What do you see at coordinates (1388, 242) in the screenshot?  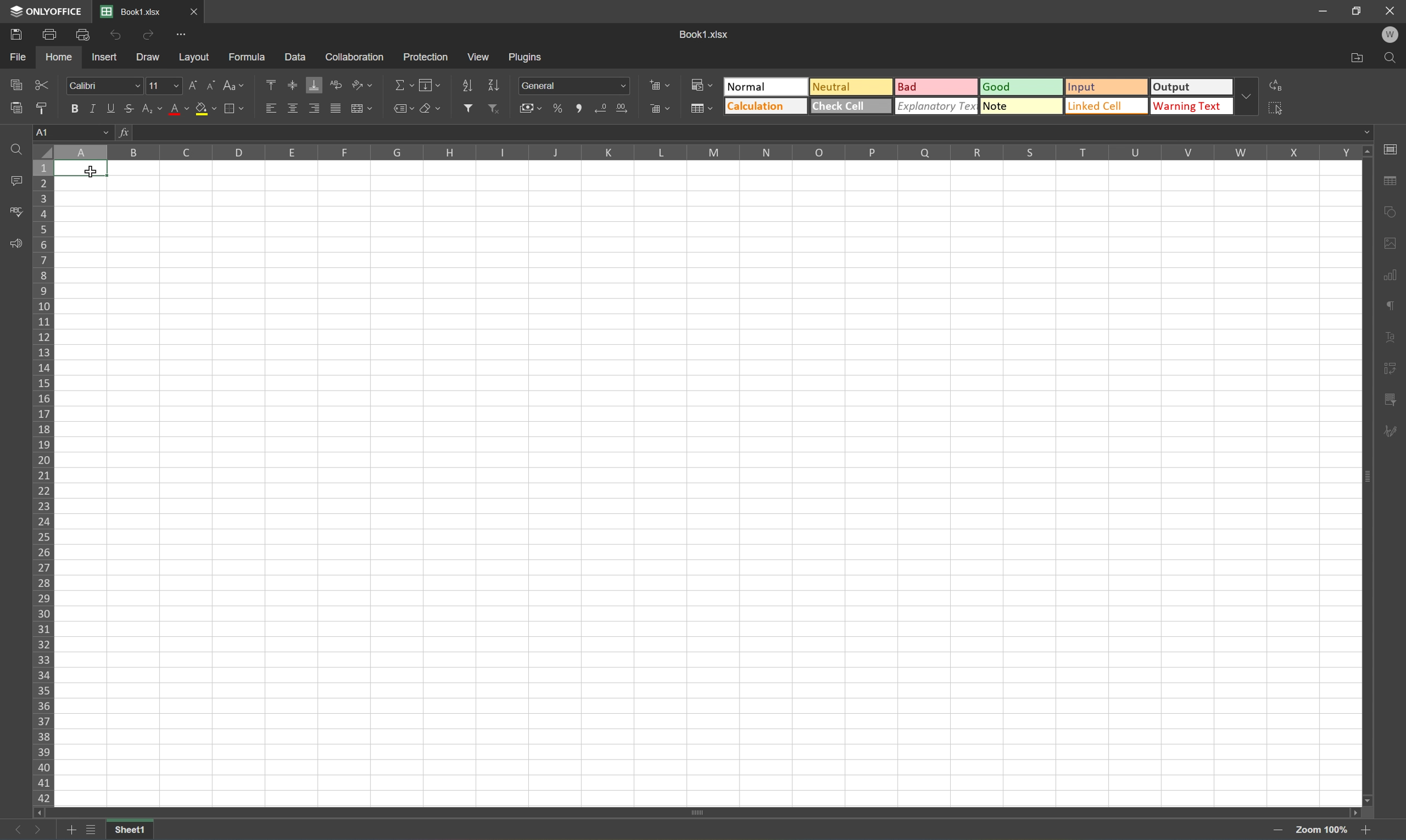 I see `Shape settings` at bounding box center [1388, 242].